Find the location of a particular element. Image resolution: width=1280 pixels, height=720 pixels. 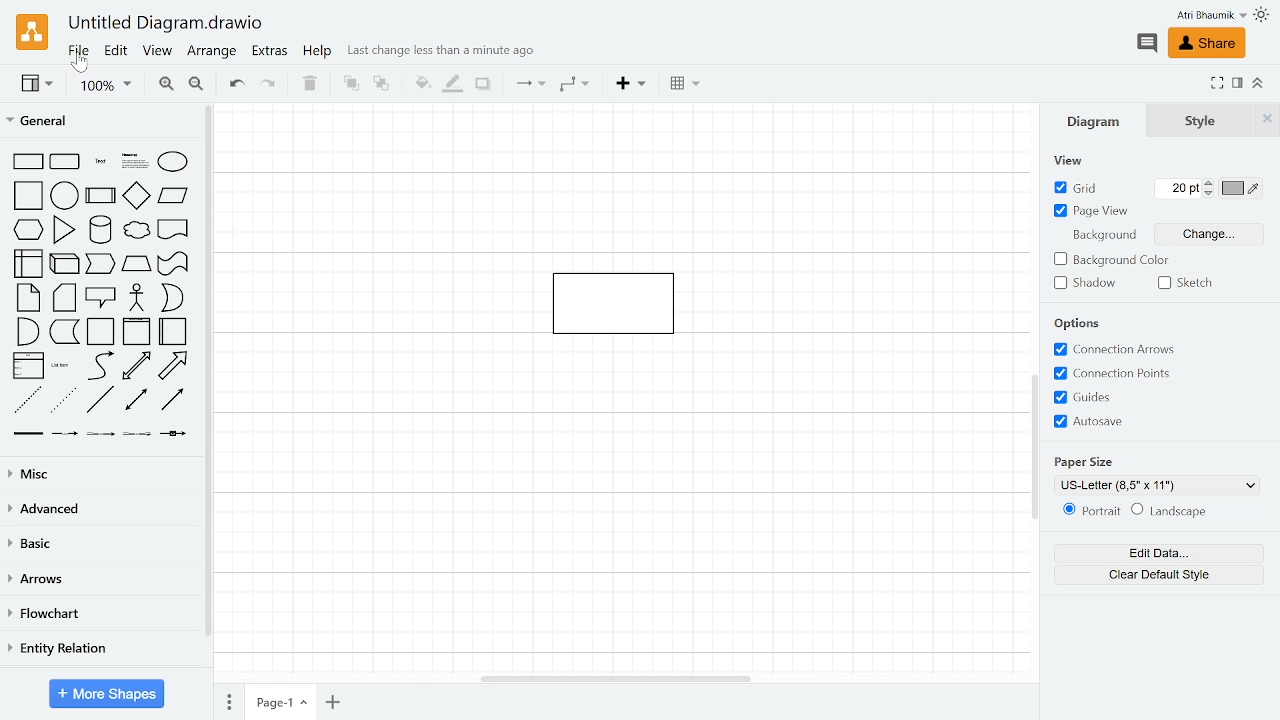

View is located at coordinates (157, 51).